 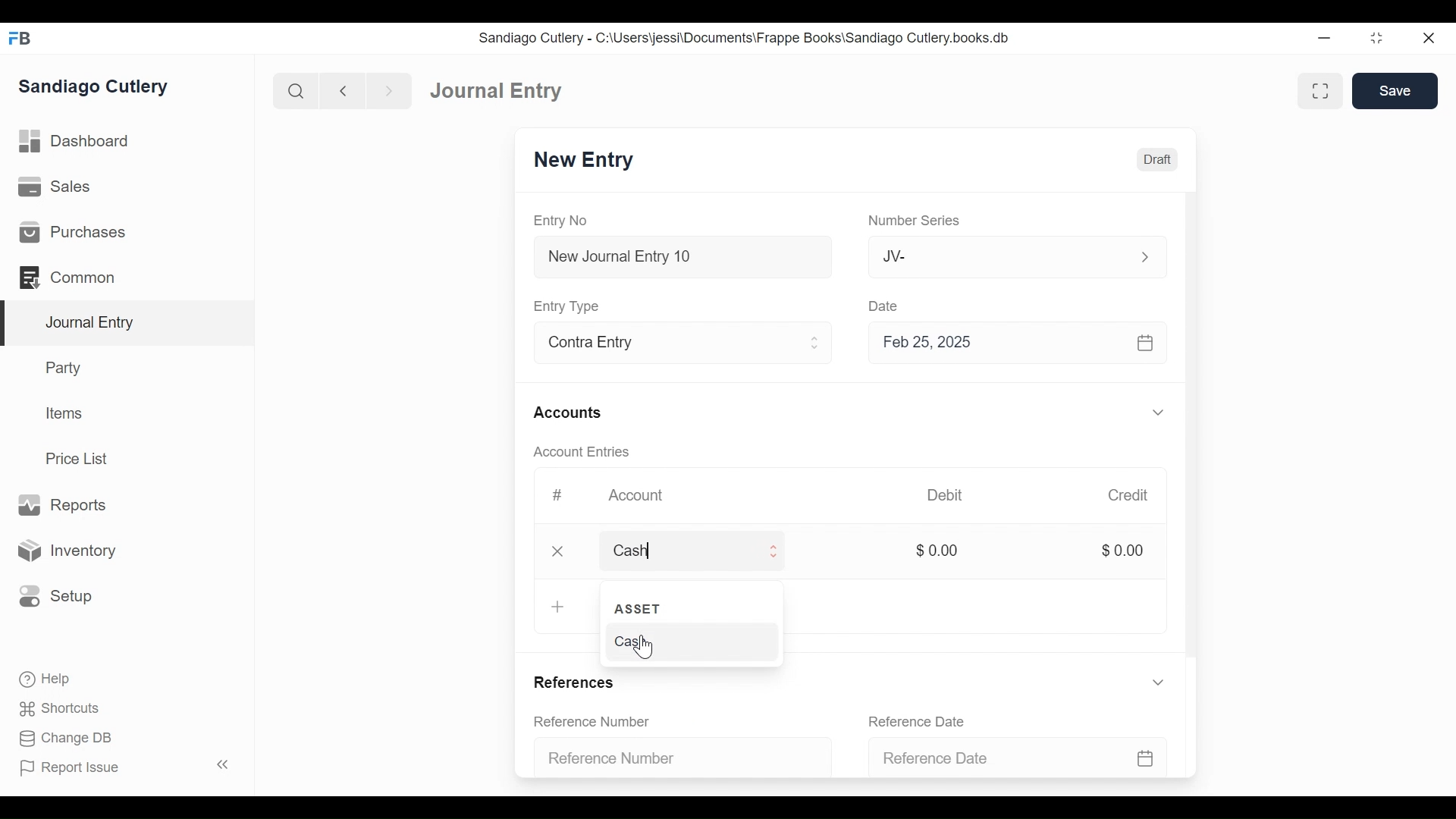 What do you see at coordinates (61, 504) in the screenshot?
I see `Reports` at bounding box center [61, 504].